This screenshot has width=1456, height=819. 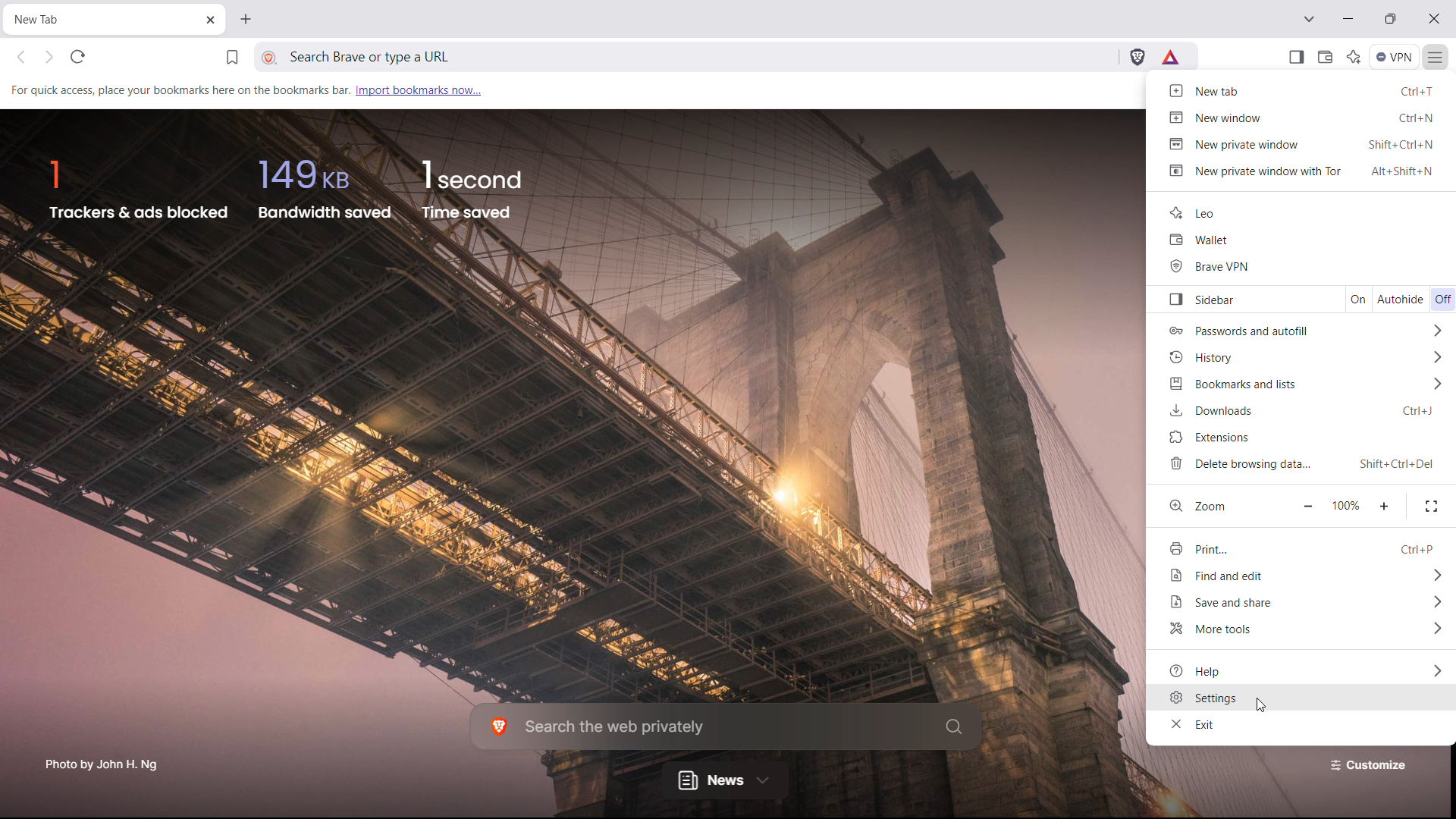 What do you see at coordinates (1305, 464) in the screenshot?
I see `delete browsing data` at bounding box center [1305, 464].